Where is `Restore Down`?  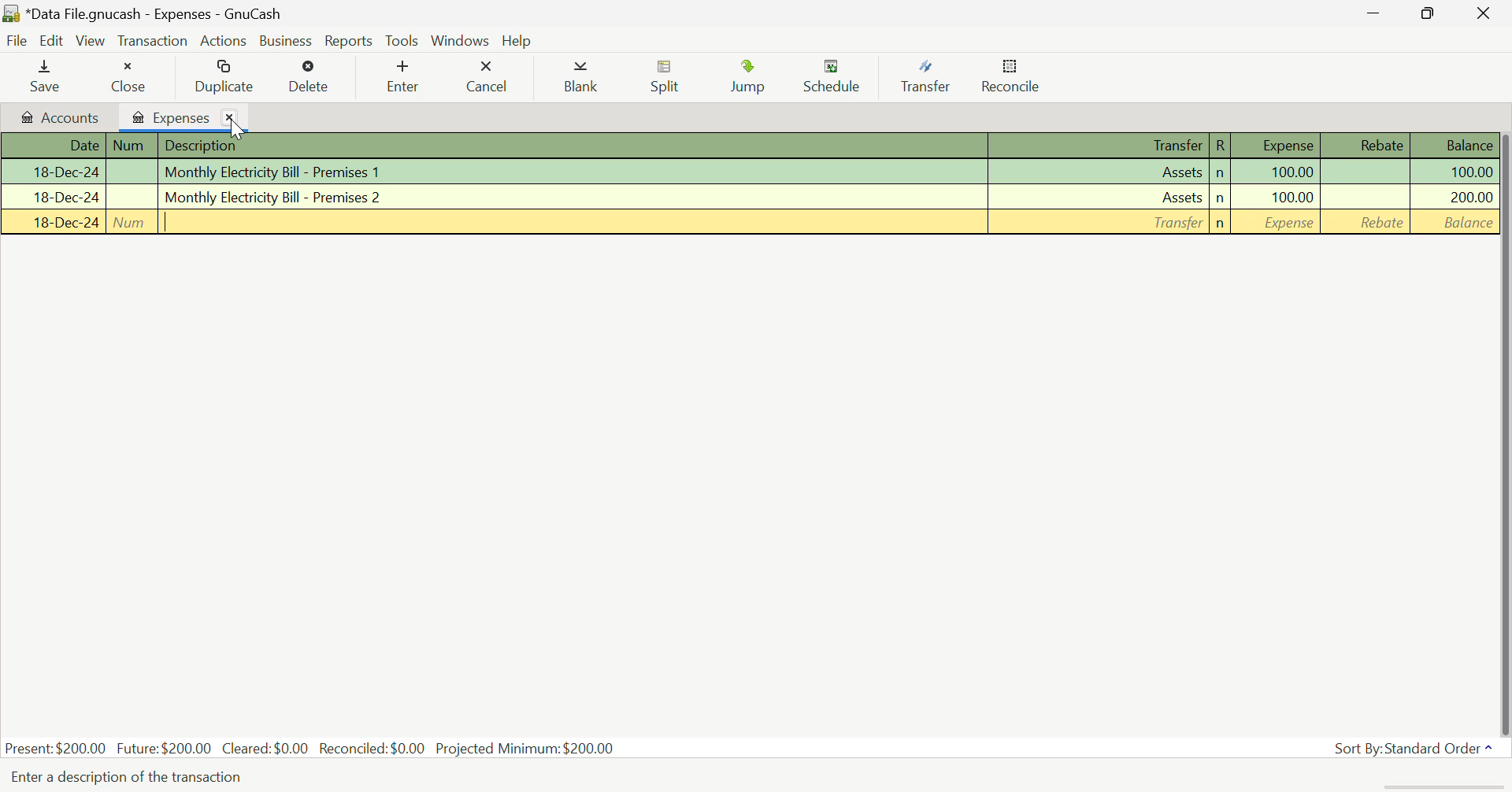
Restore Down is located at coordinates (1371, 12).